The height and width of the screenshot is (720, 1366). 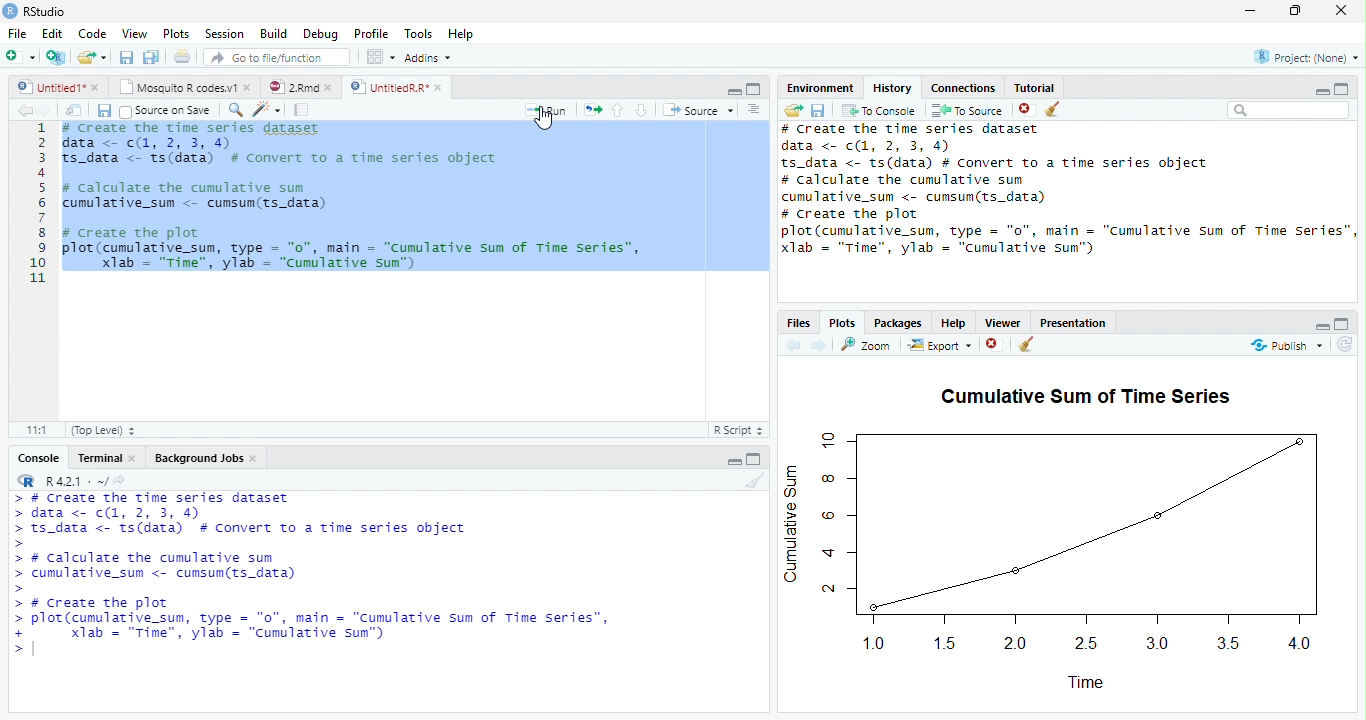 I want to click on Create the time series dataset > ts_data <- ts(data) # Convert to a time series object>> # calculate the cumulative sum> cunulative_sum <- cumsun(ts_data)>> # create the plot> plot(cumulative_sum, type = “0”, main = "Cumulative sum of Time Series”,+ X1ab = "Time", ylab = "Cunulative sum")>|, so click(x=296, y=586).